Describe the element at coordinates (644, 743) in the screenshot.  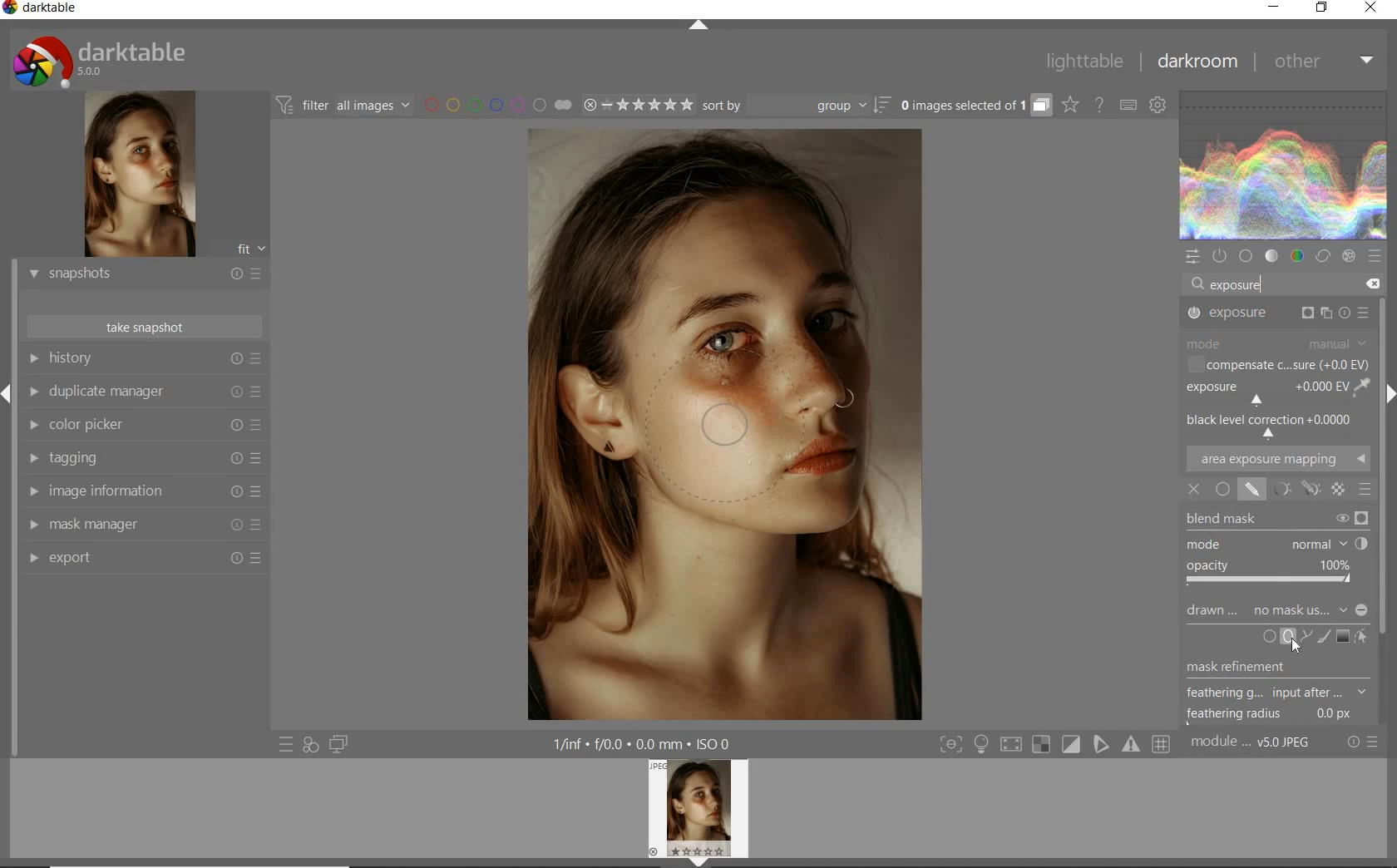
I see `other display information` at that location.